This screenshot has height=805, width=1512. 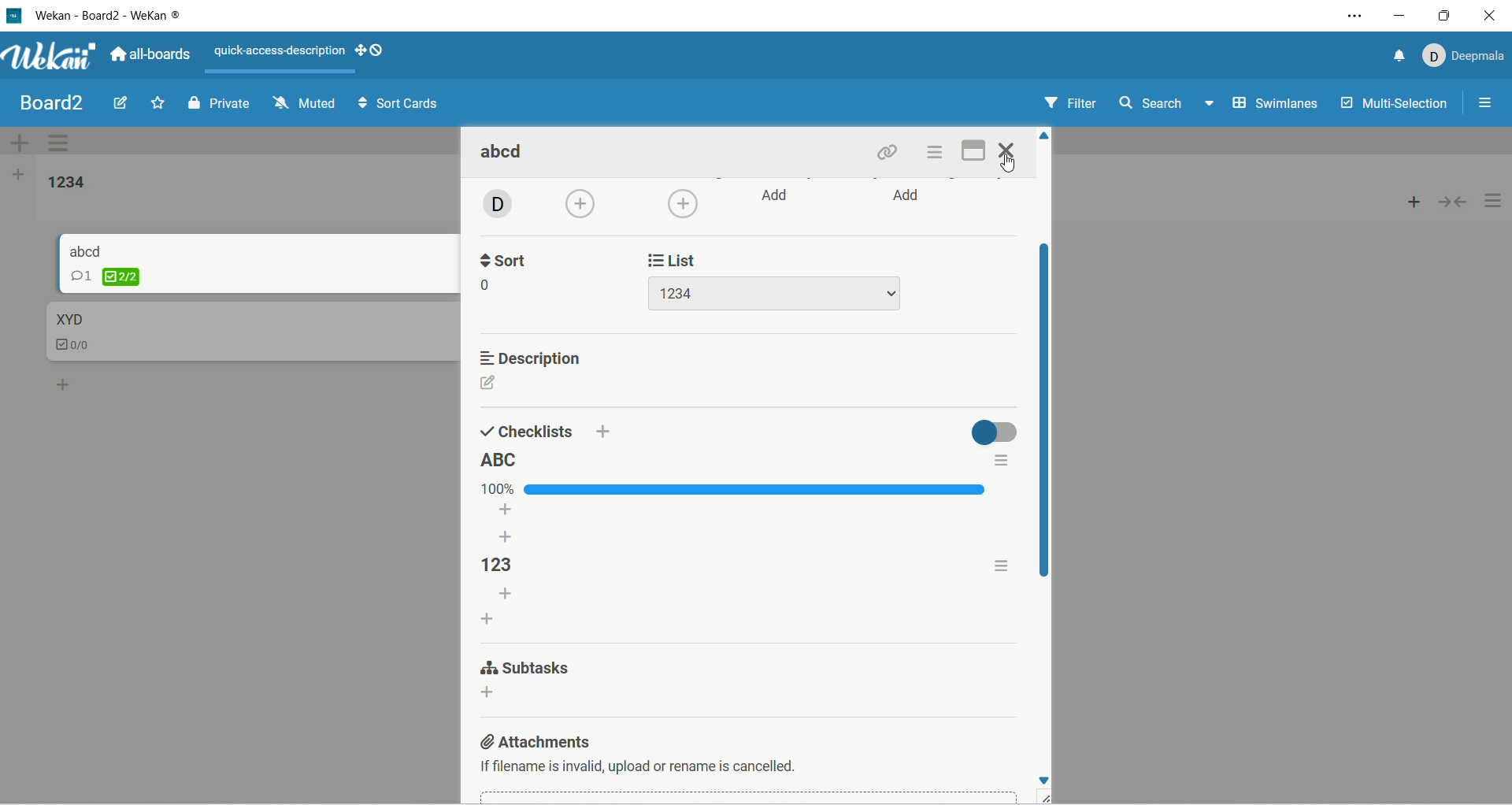 I want to click on filter, so click(x=1070, y=103).